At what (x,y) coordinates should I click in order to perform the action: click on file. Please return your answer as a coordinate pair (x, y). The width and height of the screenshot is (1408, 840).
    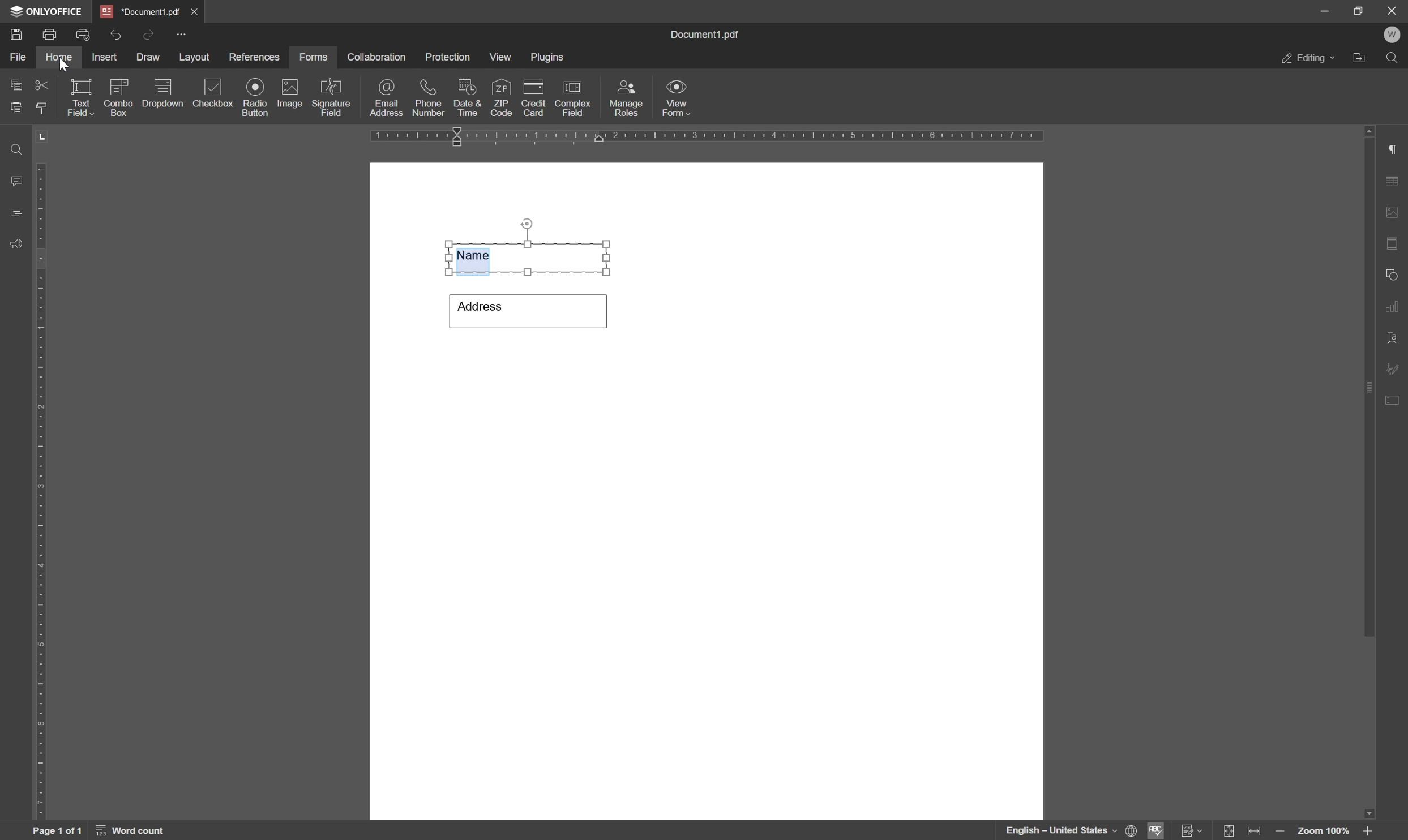
    Looking at the image, I should click on (16, 57).